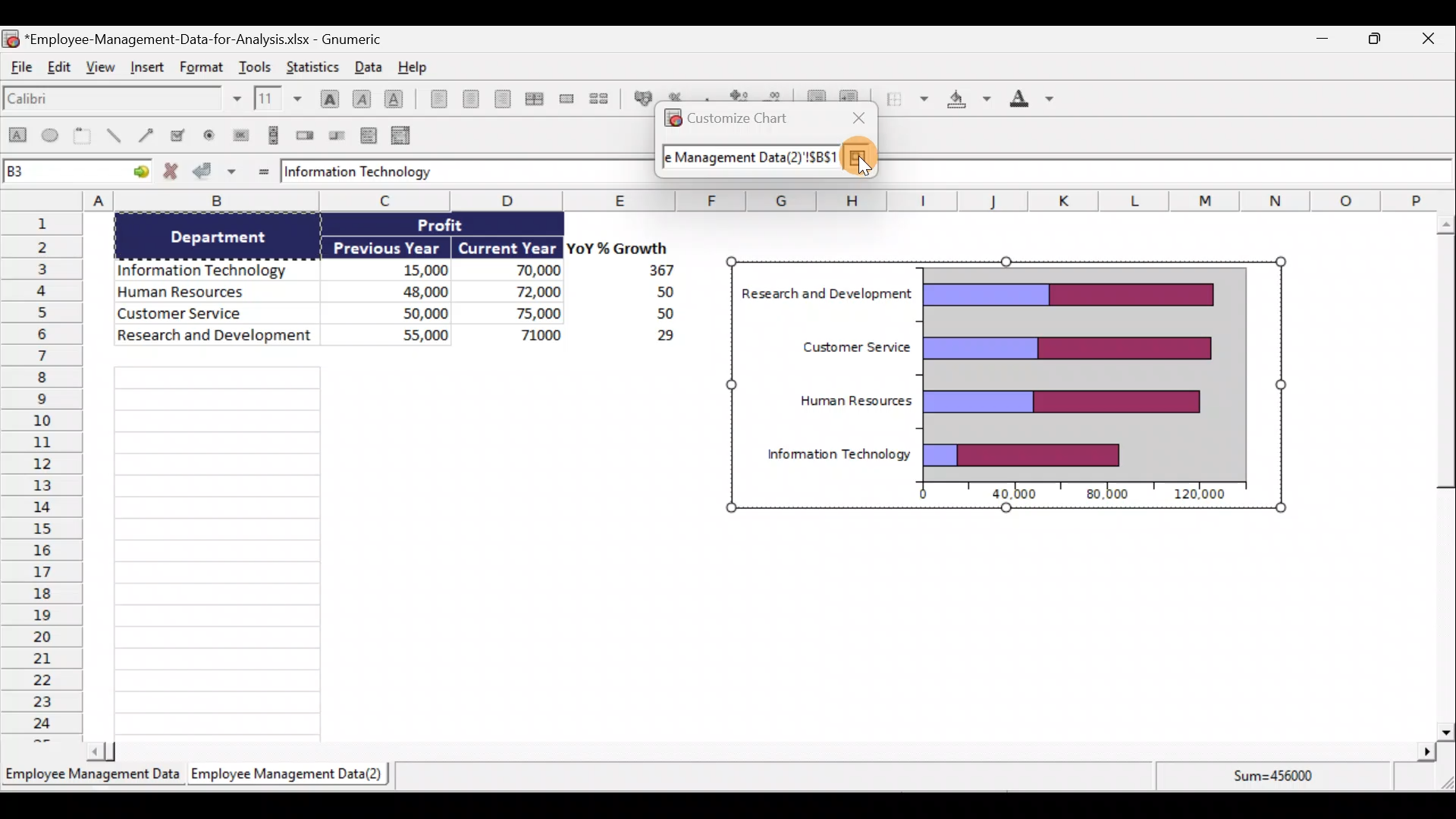 The image size is (1456, 819). What do you see at coordinates (1282, 780) in the screenshot?
I see `Sum` at bounding box center [1282, 780].